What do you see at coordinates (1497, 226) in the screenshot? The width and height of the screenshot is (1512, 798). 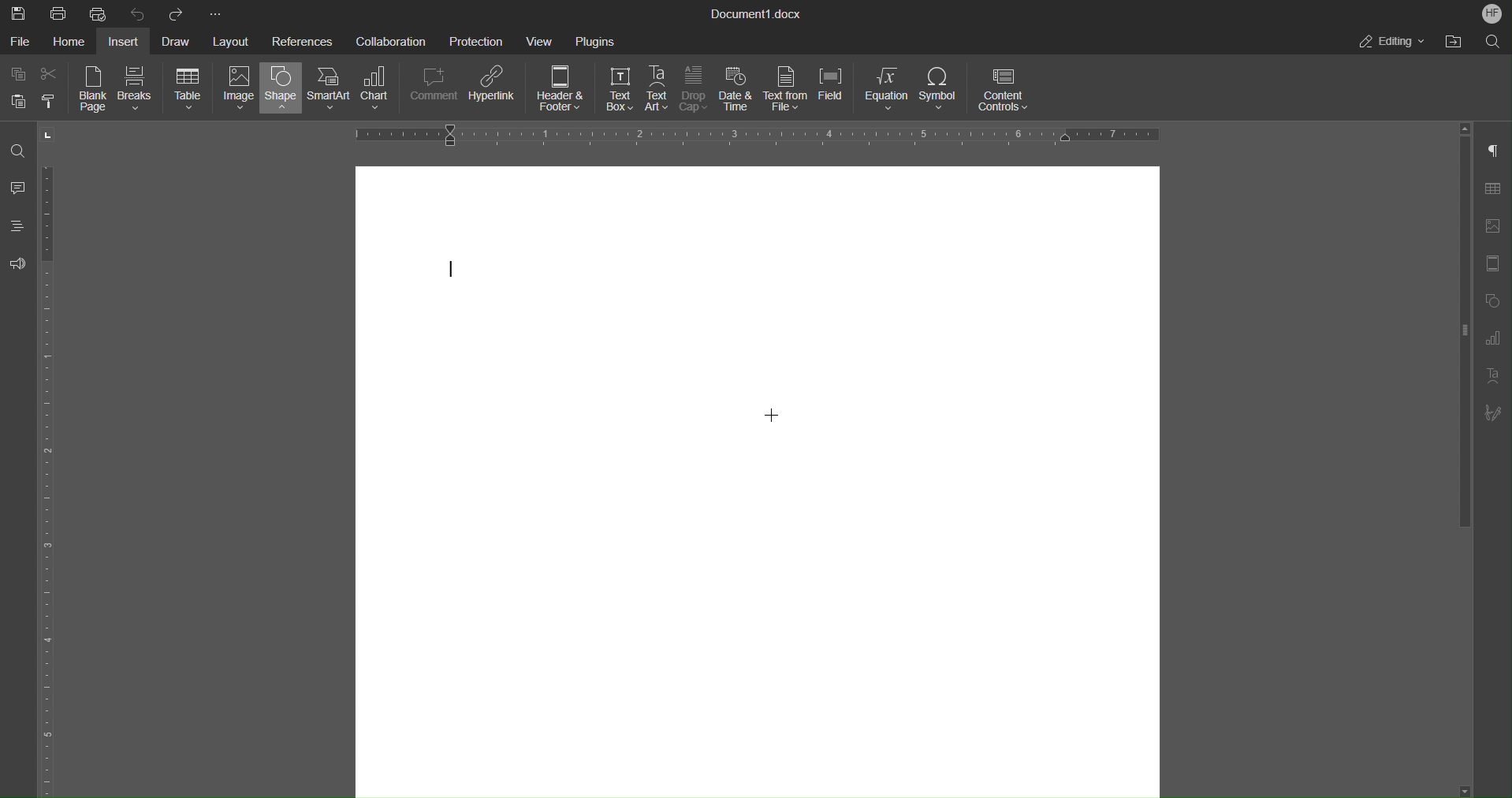 I see `Insert Image` at bounding box center [1497, 226].